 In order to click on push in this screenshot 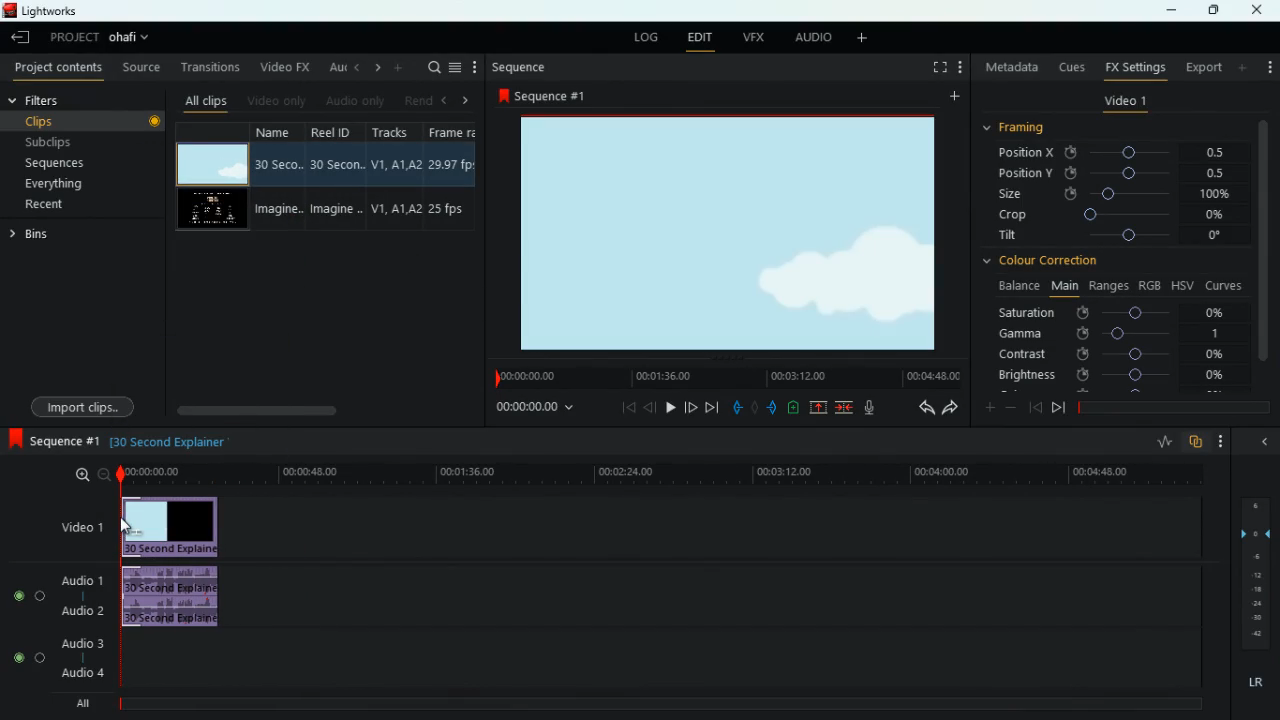, I will do `click(772, 408)`.